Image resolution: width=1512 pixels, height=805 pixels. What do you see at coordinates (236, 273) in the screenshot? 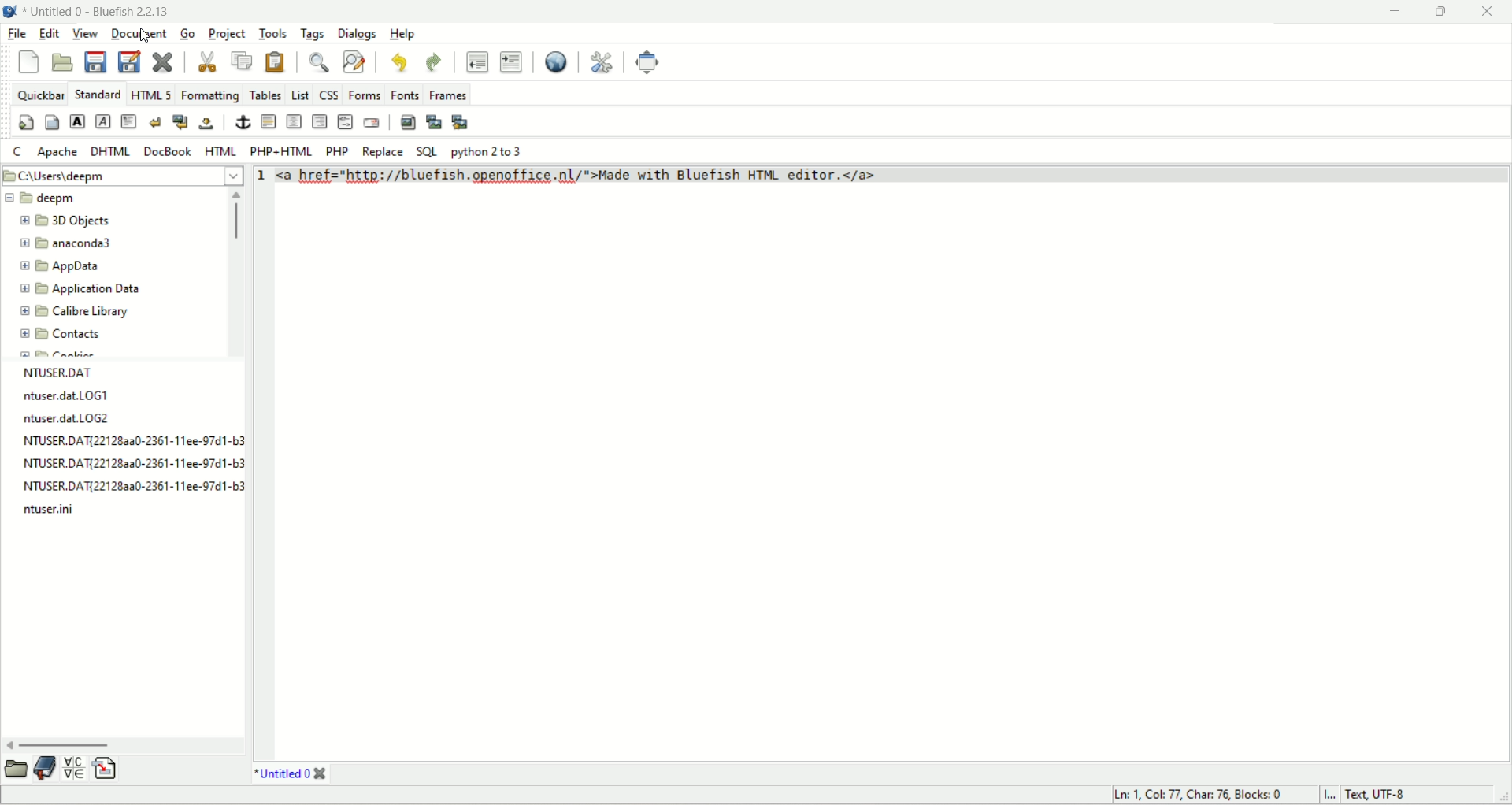
I see `vertical scroll bar` at bounding box center [236, 273].